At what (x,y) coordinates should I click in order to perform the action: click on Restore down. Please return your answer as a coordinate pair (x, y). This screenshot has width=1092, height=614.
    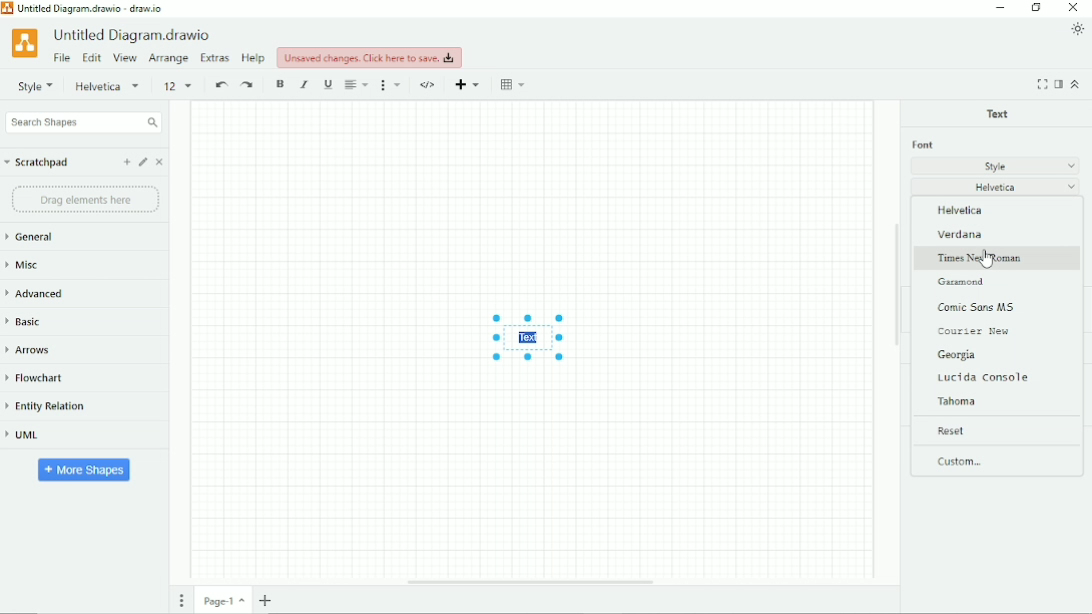
    Looking at the image, I should click on (1036, 7).